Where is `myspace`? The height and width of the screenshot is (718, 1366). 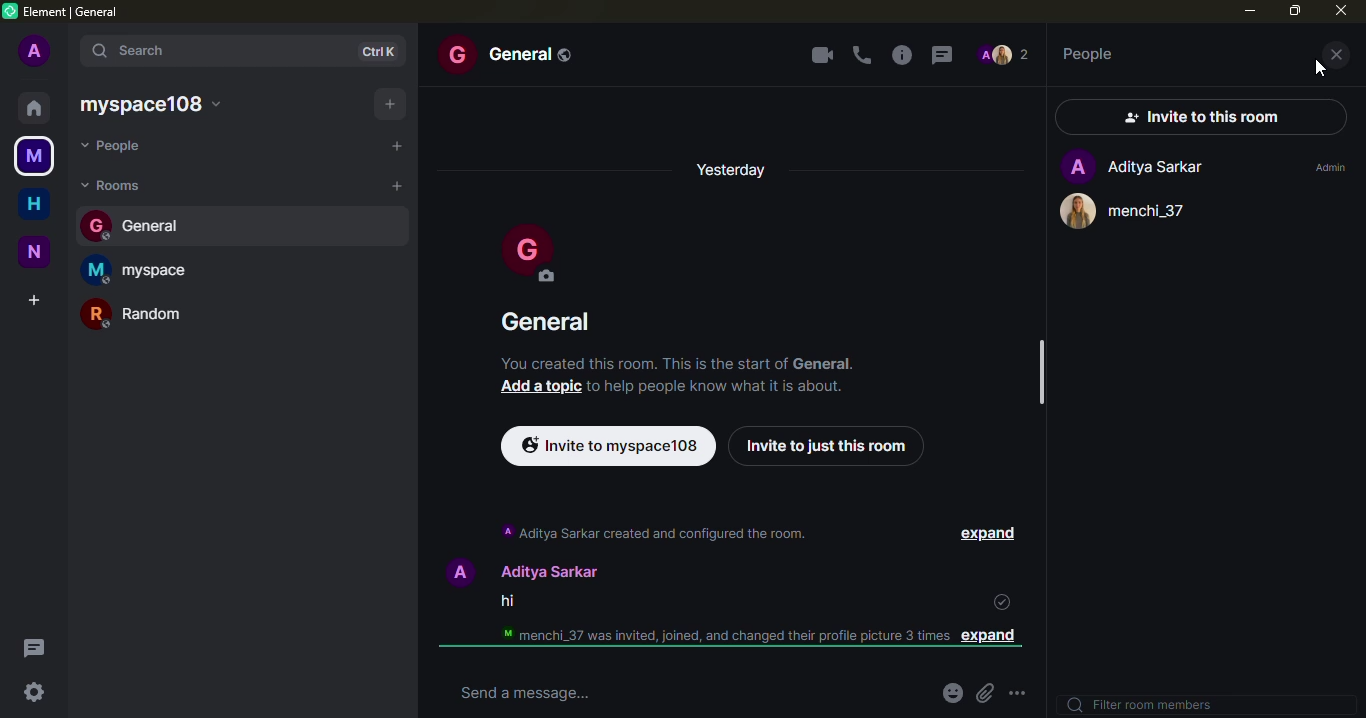
myspace is located at coordinates (143, 268).